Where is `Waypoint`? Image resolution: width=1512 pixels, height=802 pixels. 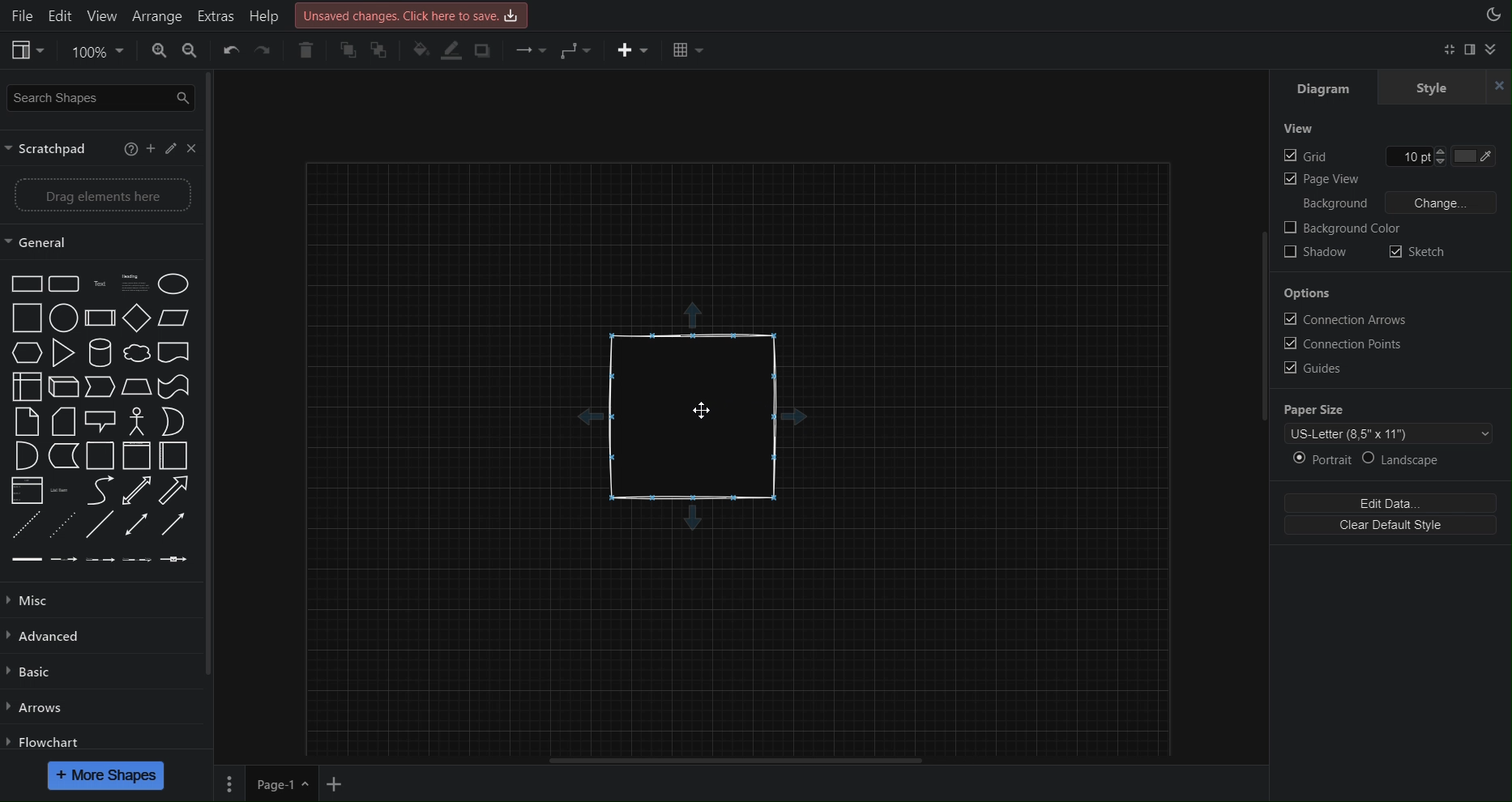 Waypoint is located at coordinates (578, 53).